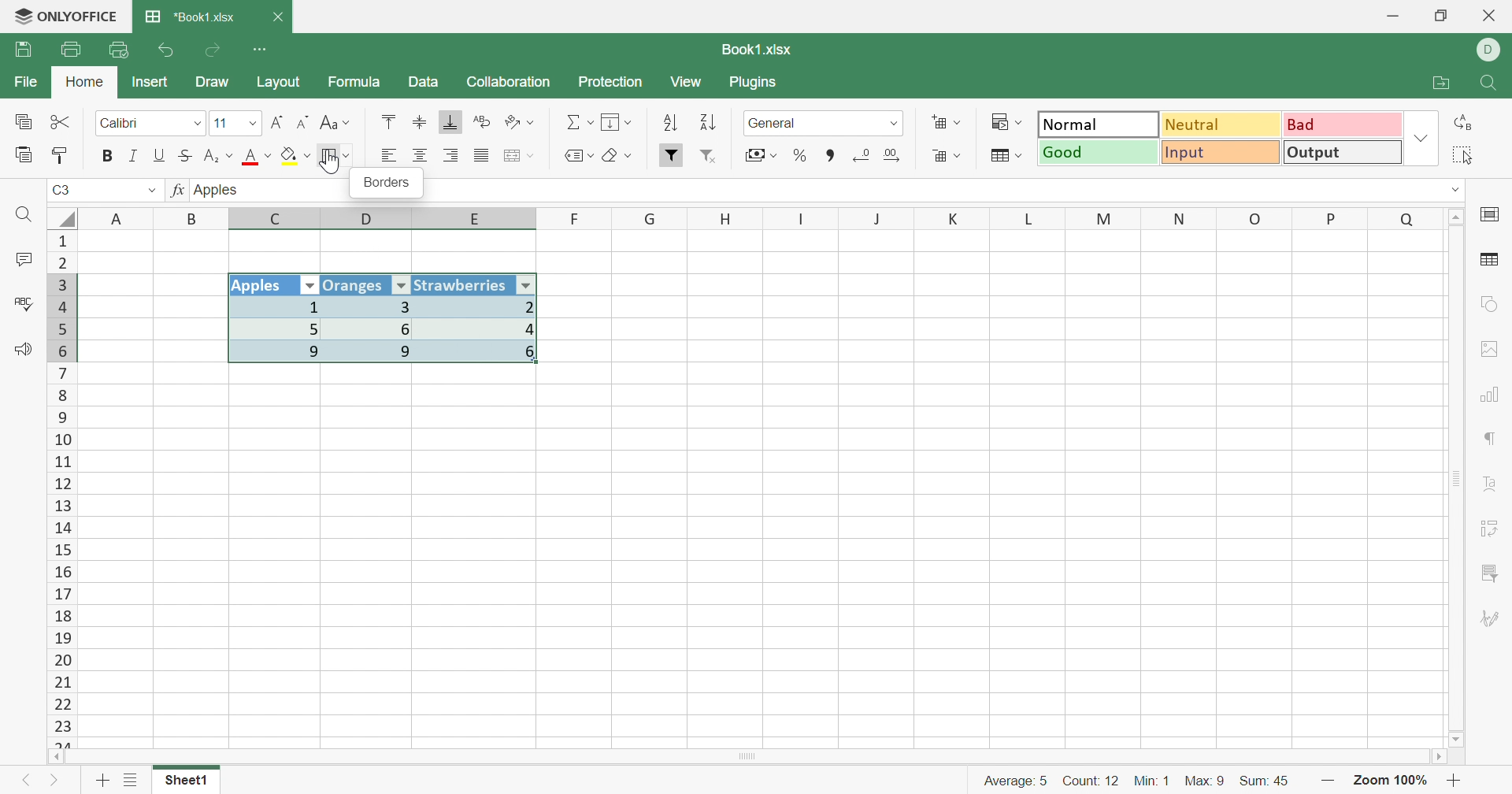  I want to click on View, so click(688, 83).